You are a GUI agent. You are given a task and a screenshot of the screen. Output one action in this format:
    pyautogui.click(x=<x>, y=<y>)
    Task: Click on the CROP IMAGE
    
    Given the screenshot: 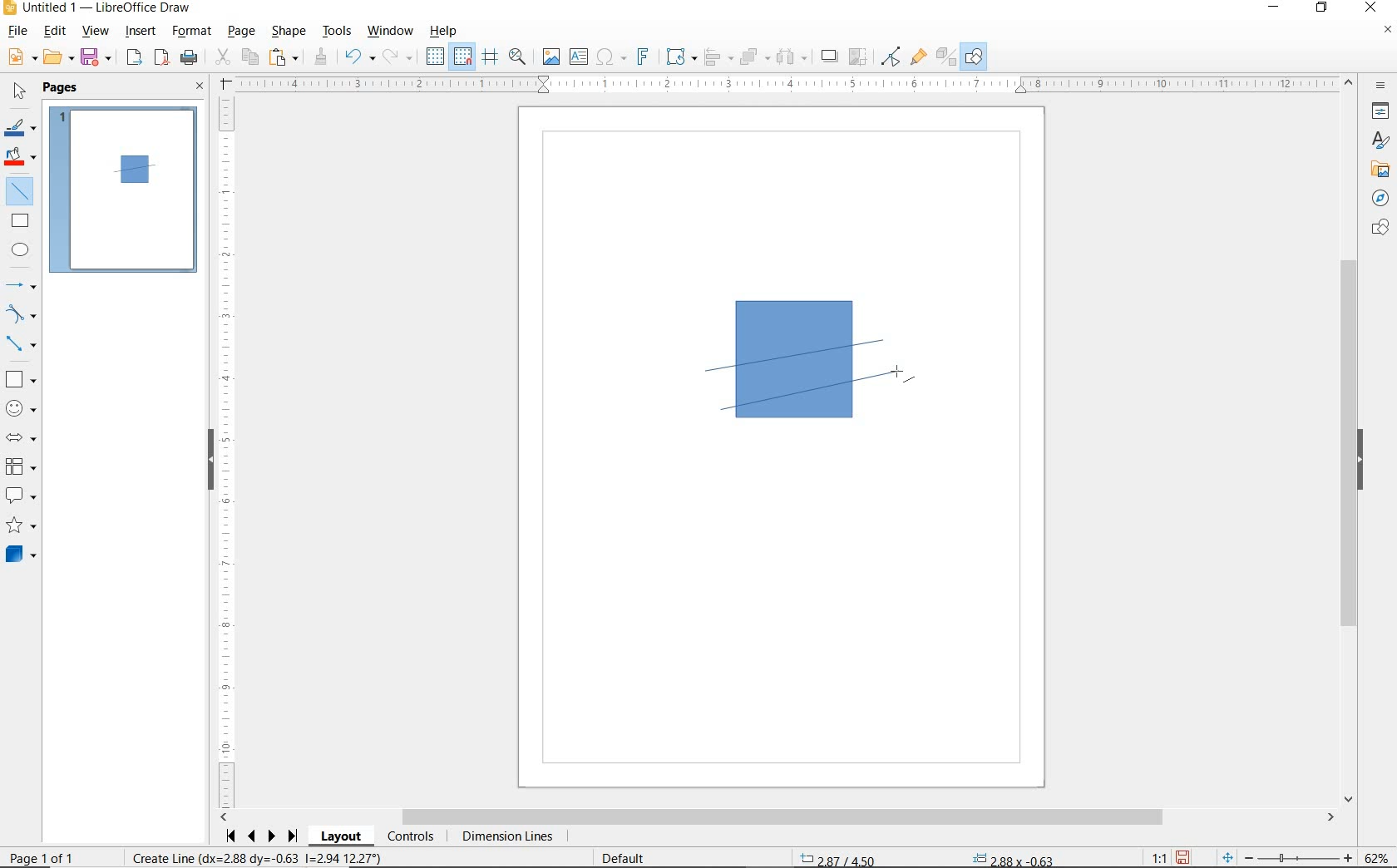 What is the action you would take?
    pyautogui.click(x=859, y=57)
    